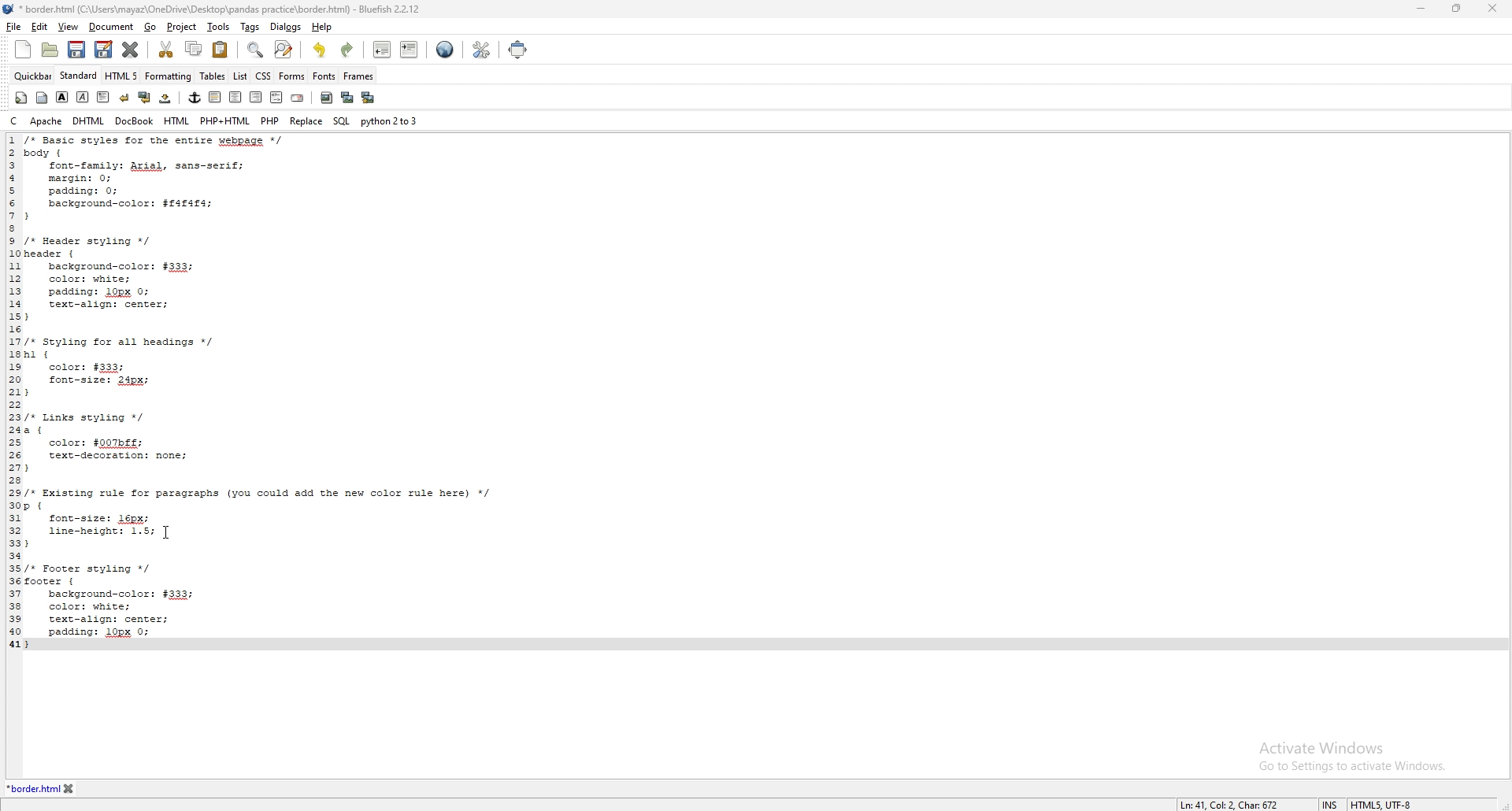 Image resolution: width=1512 pixels, height=811 pixels. I want to click on file, so click(14, 26).